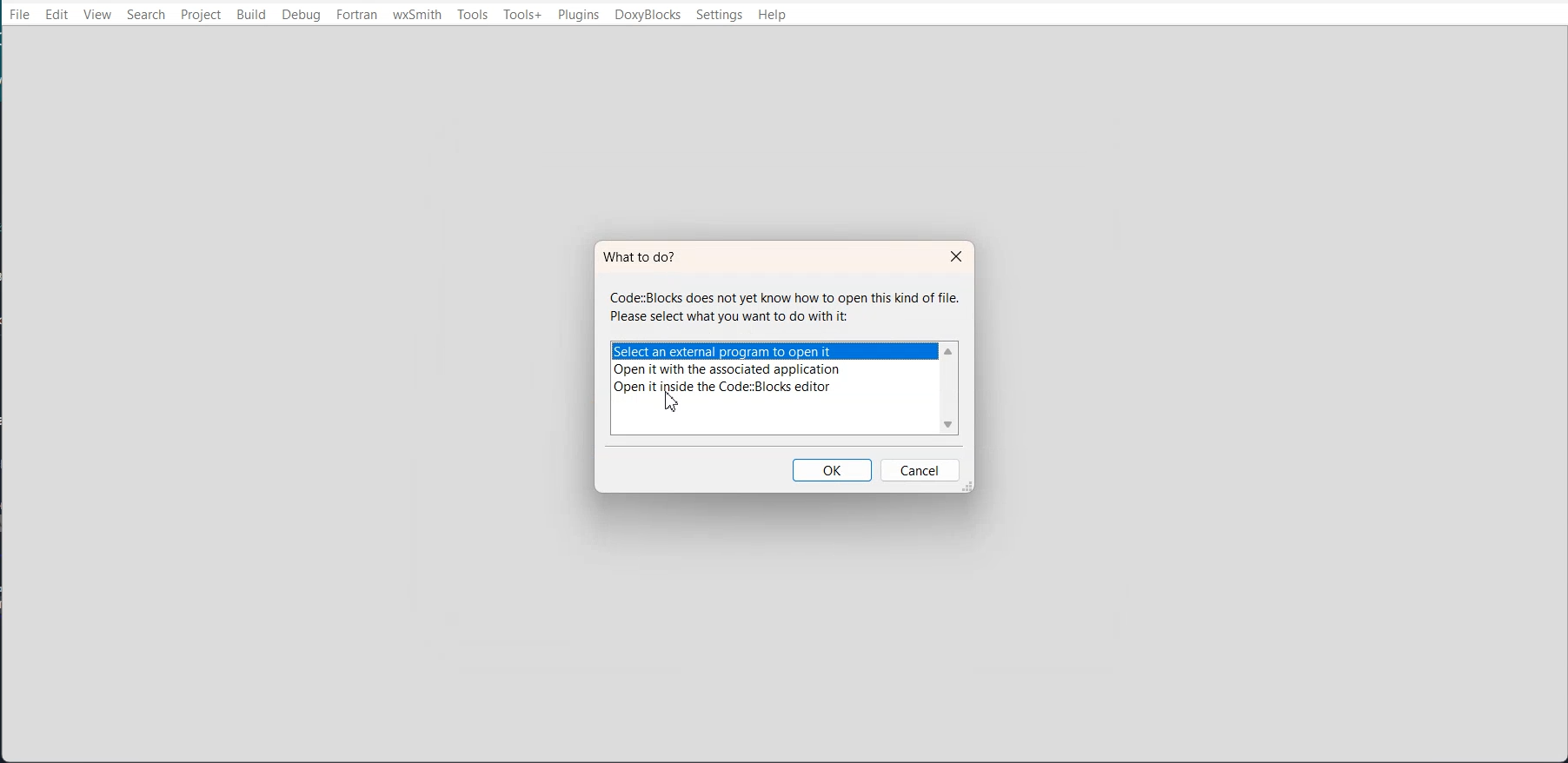 The height and width of the screenshot is (763, 1568). What do you see at coordinates (773, 388) in the screenshot?
I see `Open it inside the code::blocks editor` at bounding box center [773, 388].